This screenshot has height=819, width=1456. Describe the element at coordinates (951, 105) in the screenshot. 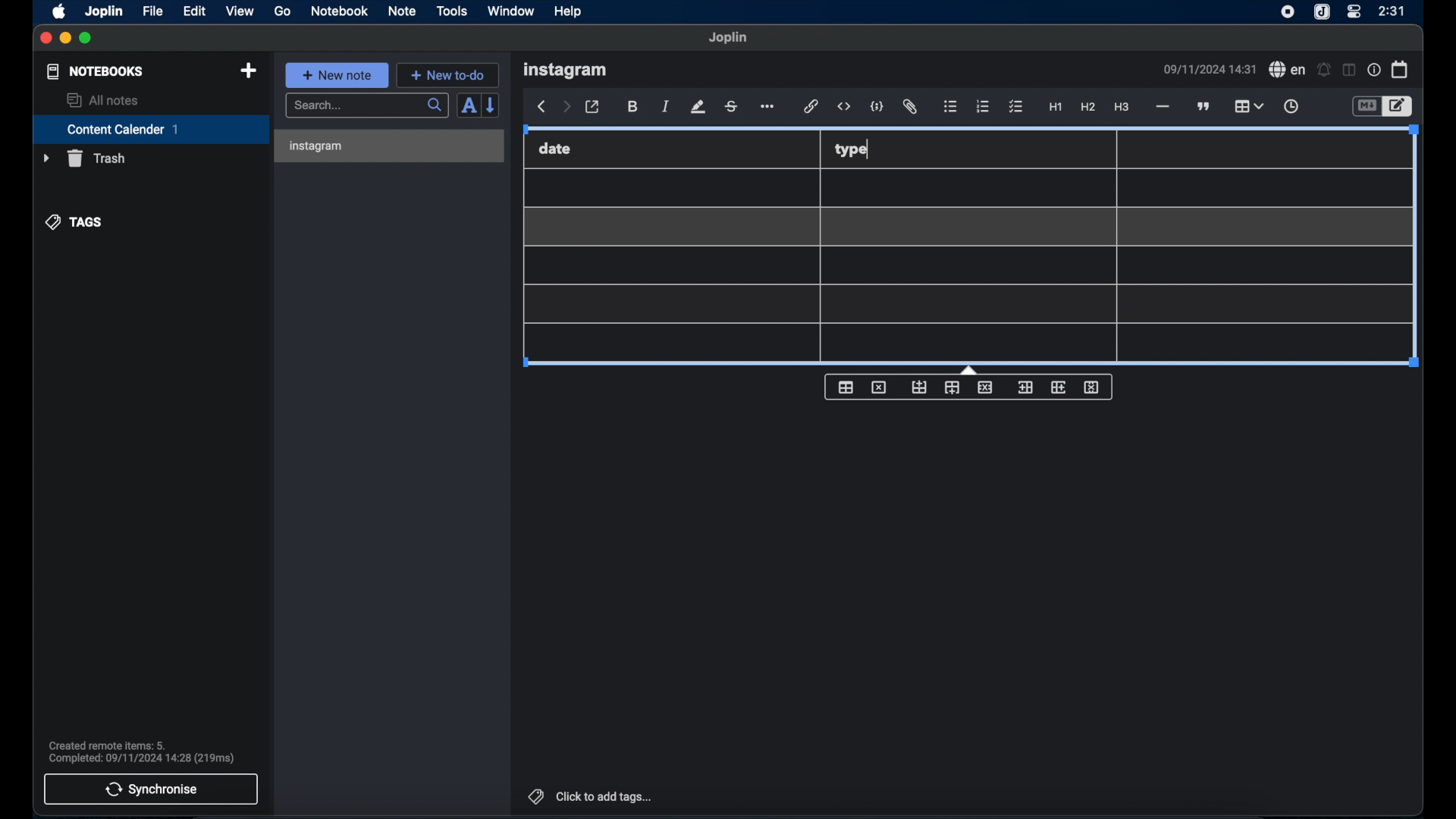

I see `bulleted  list` at that location.